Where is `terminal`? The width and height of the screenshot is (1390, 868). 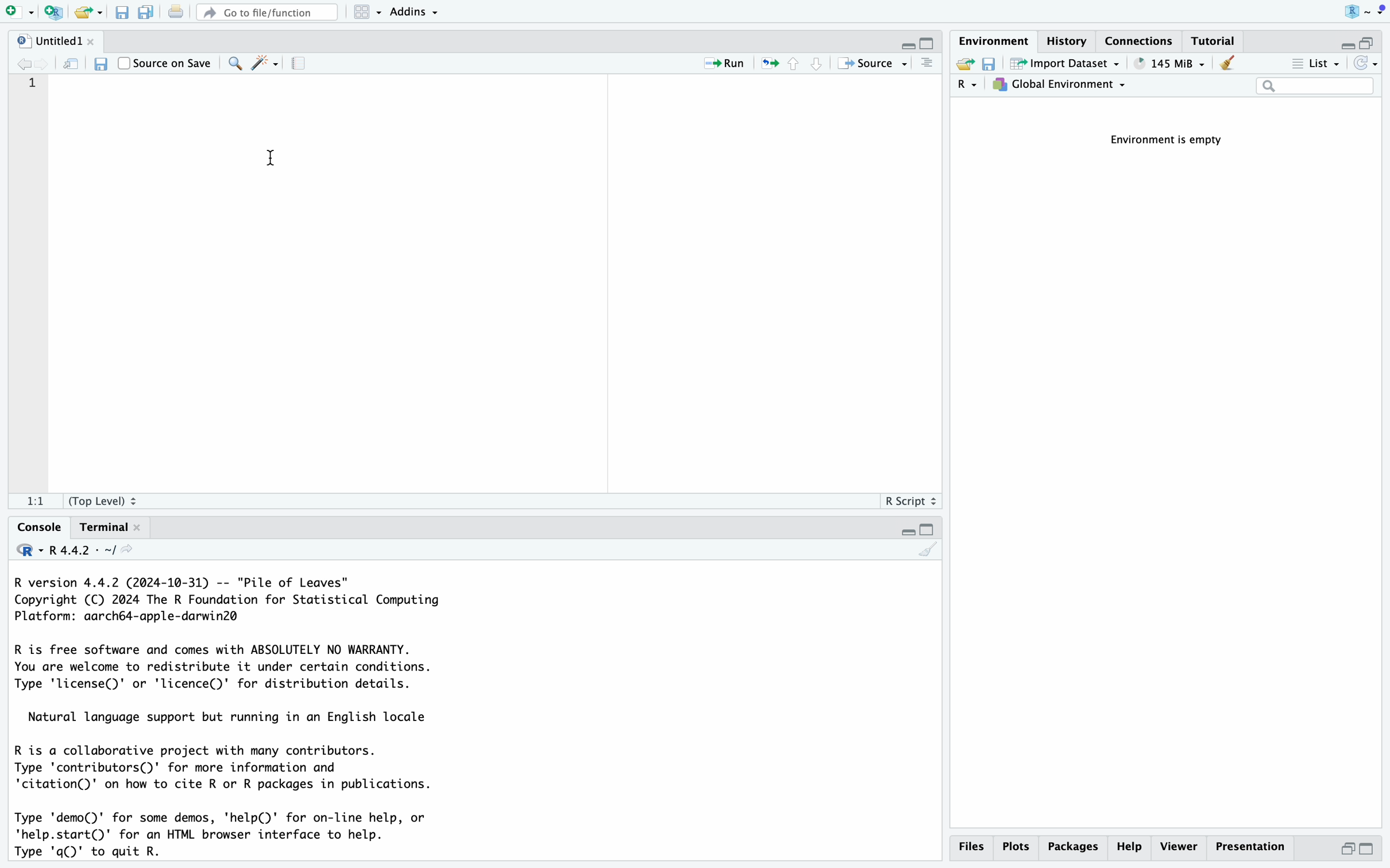 terminal is located at coordinates (102, 528).